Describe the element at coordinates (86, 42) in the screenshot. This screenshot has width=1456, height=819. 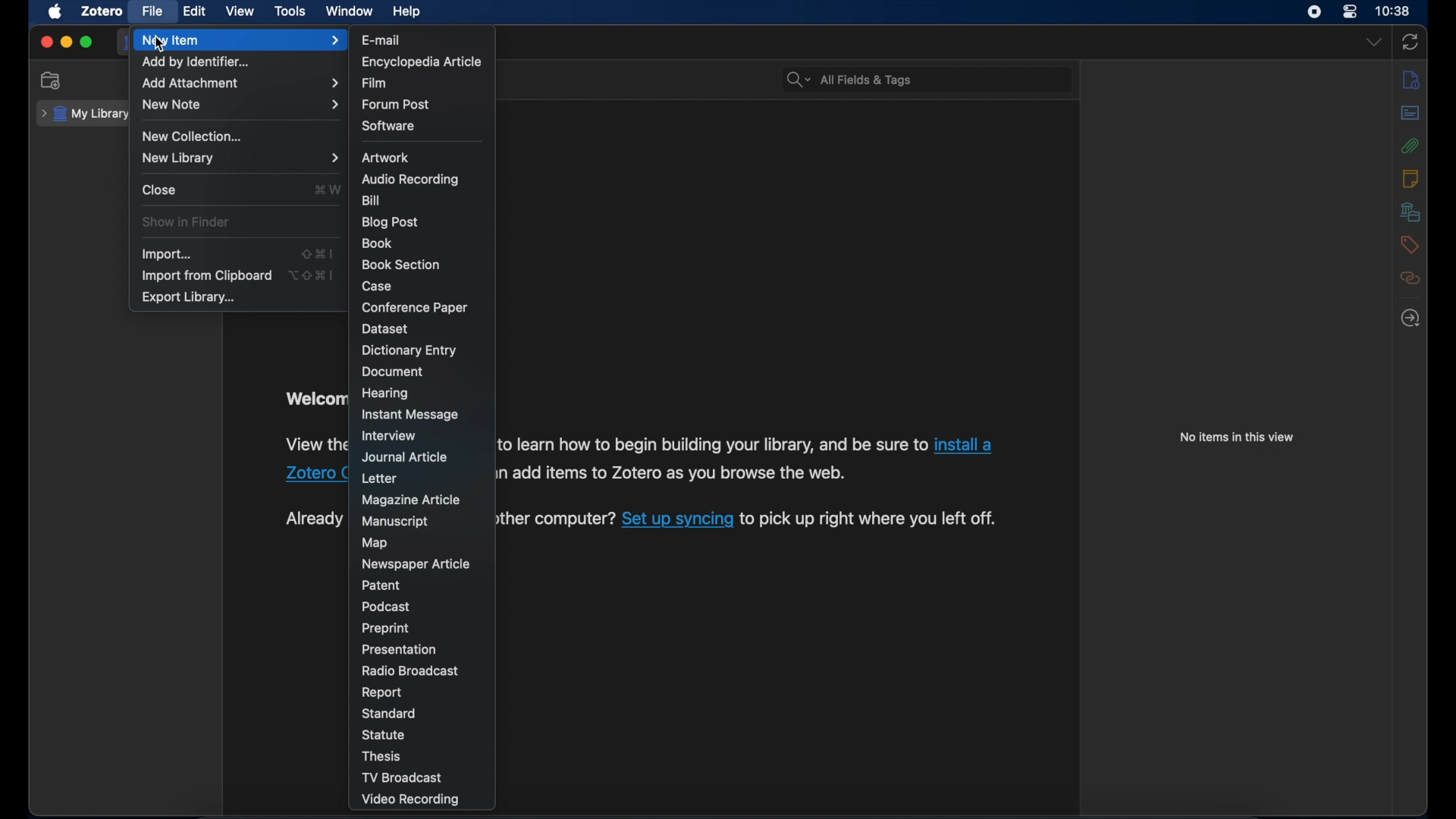
I see `maximize` at that location.